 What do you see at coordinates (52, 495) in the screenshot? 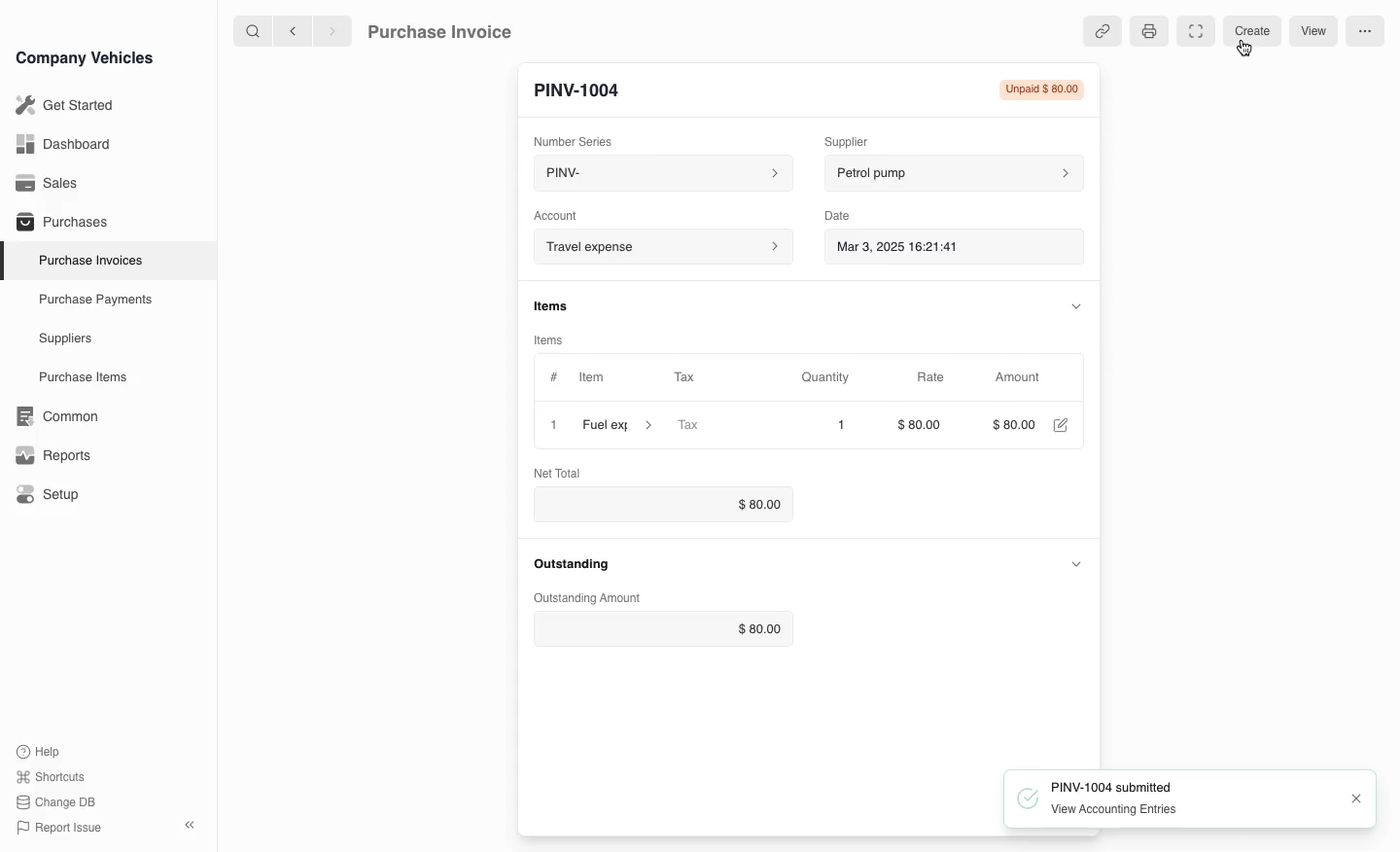
I see `Setup` at bounding box center [52, 495].